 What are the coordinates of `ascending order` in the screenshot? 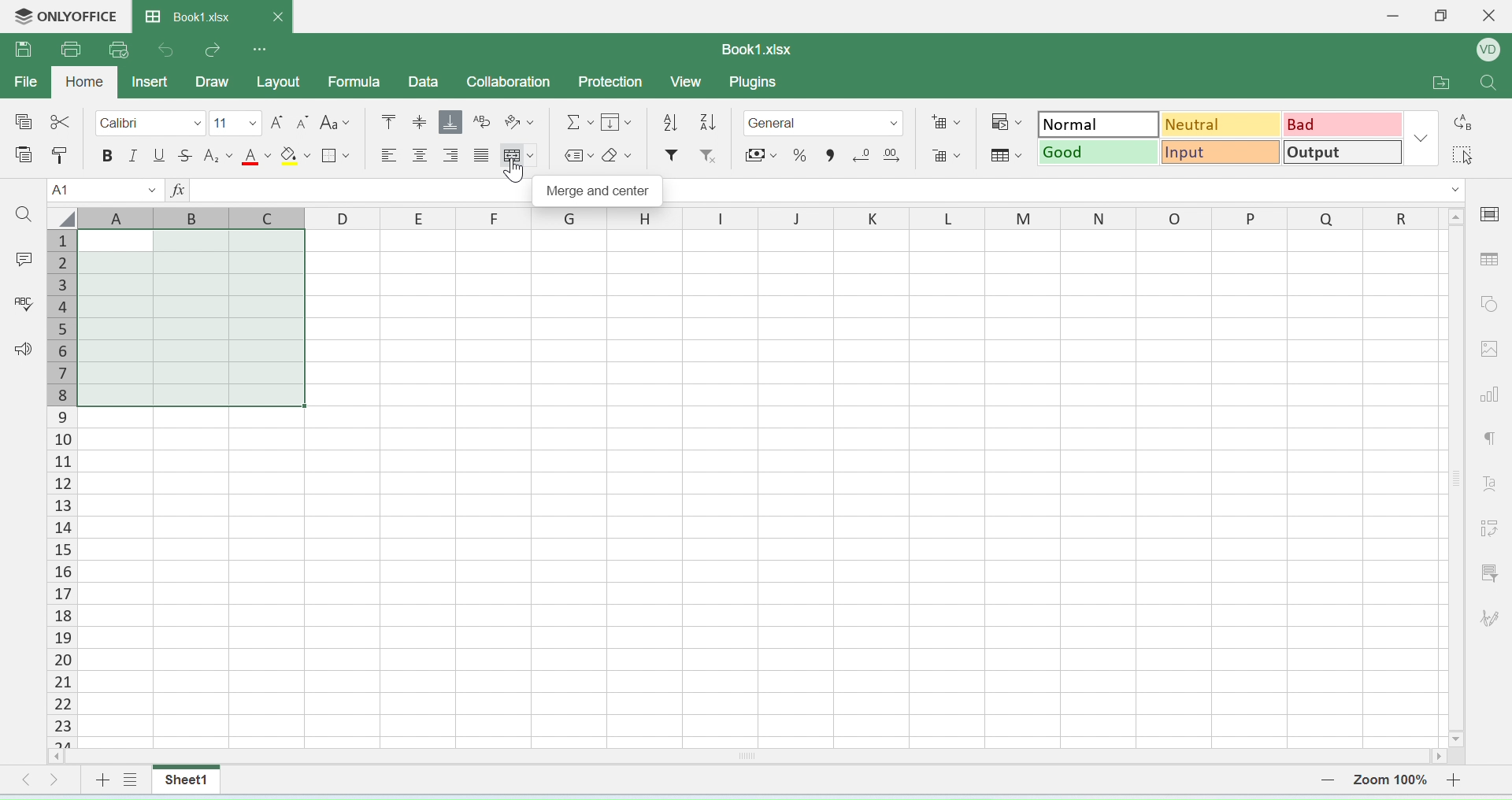 It's located at (710, 122).